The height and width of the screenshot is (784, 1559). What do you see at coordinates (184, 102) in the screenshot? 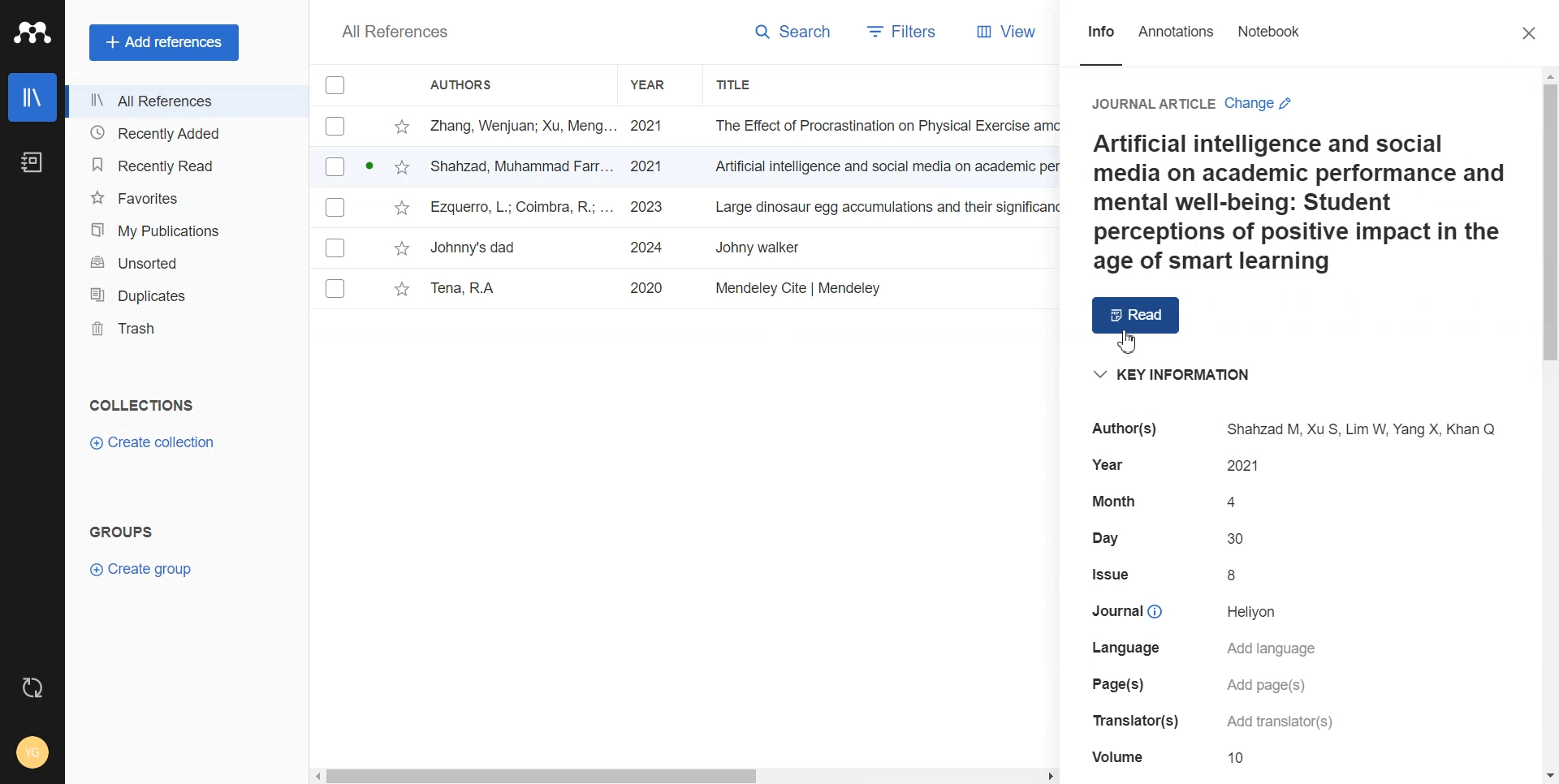
I see `All References` at bounding box center [184, 102].